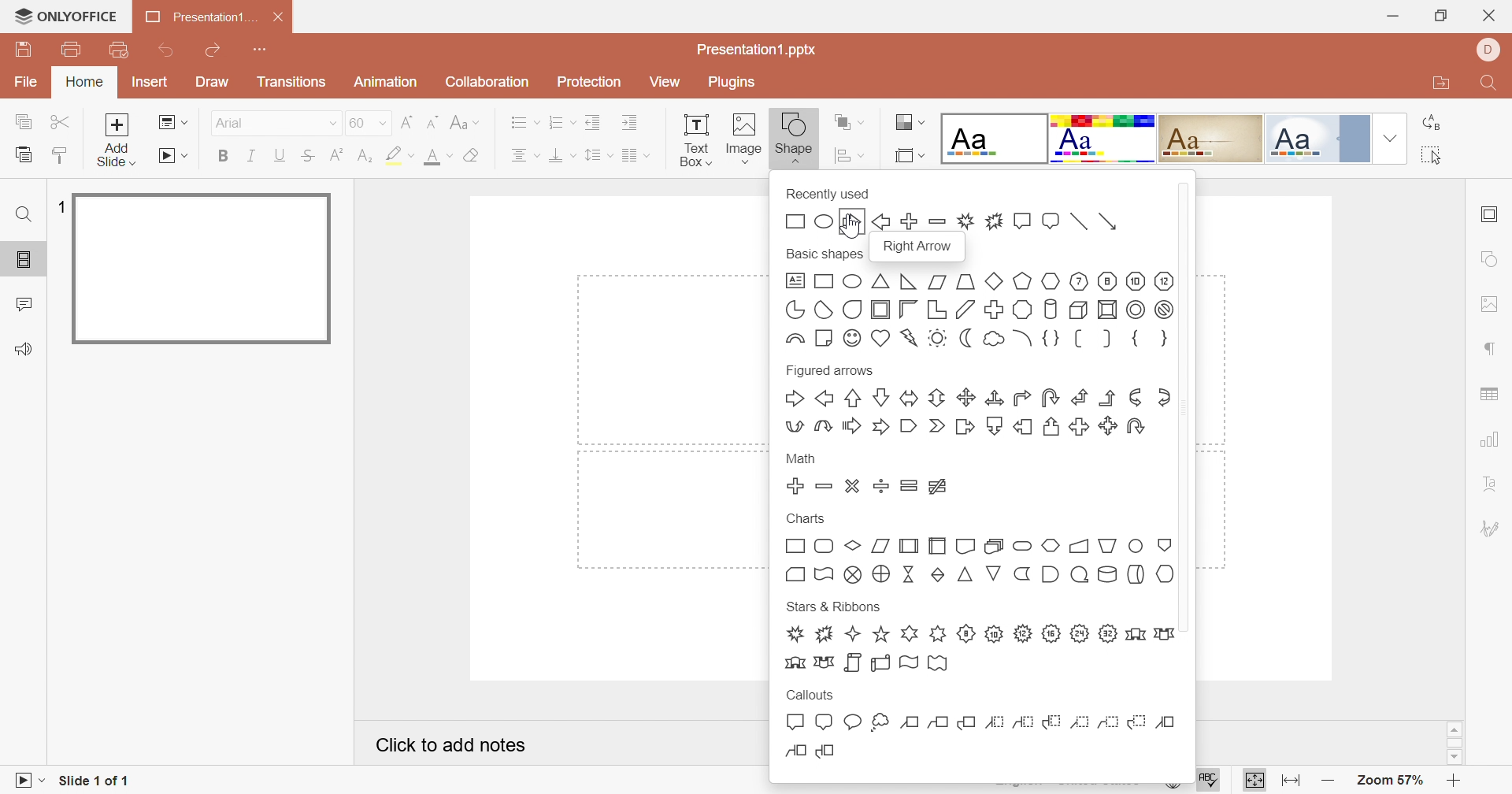 Image resolution: width=1512 pixels, height=794 pixels. Describe the element at coordinates (203, 269) in the screenshot. I see `Slide` at that location.